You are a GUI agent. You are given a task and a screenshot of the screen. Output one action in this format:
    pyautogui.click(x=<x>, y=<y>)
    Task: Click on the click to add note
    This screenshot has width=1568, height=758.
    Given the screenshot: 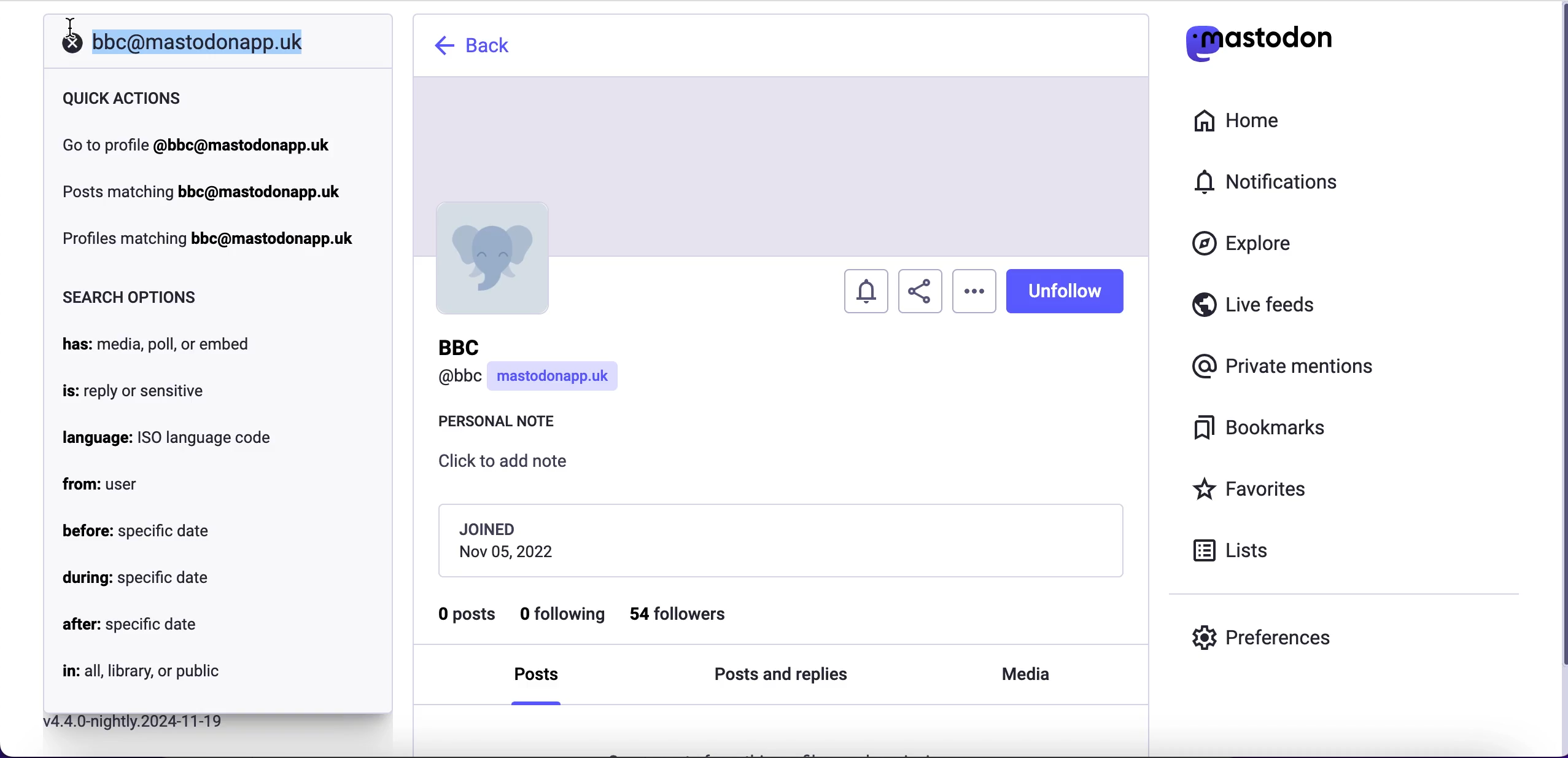 What is the action you would take?
    pyautogui.click(x=513, y=466)
    